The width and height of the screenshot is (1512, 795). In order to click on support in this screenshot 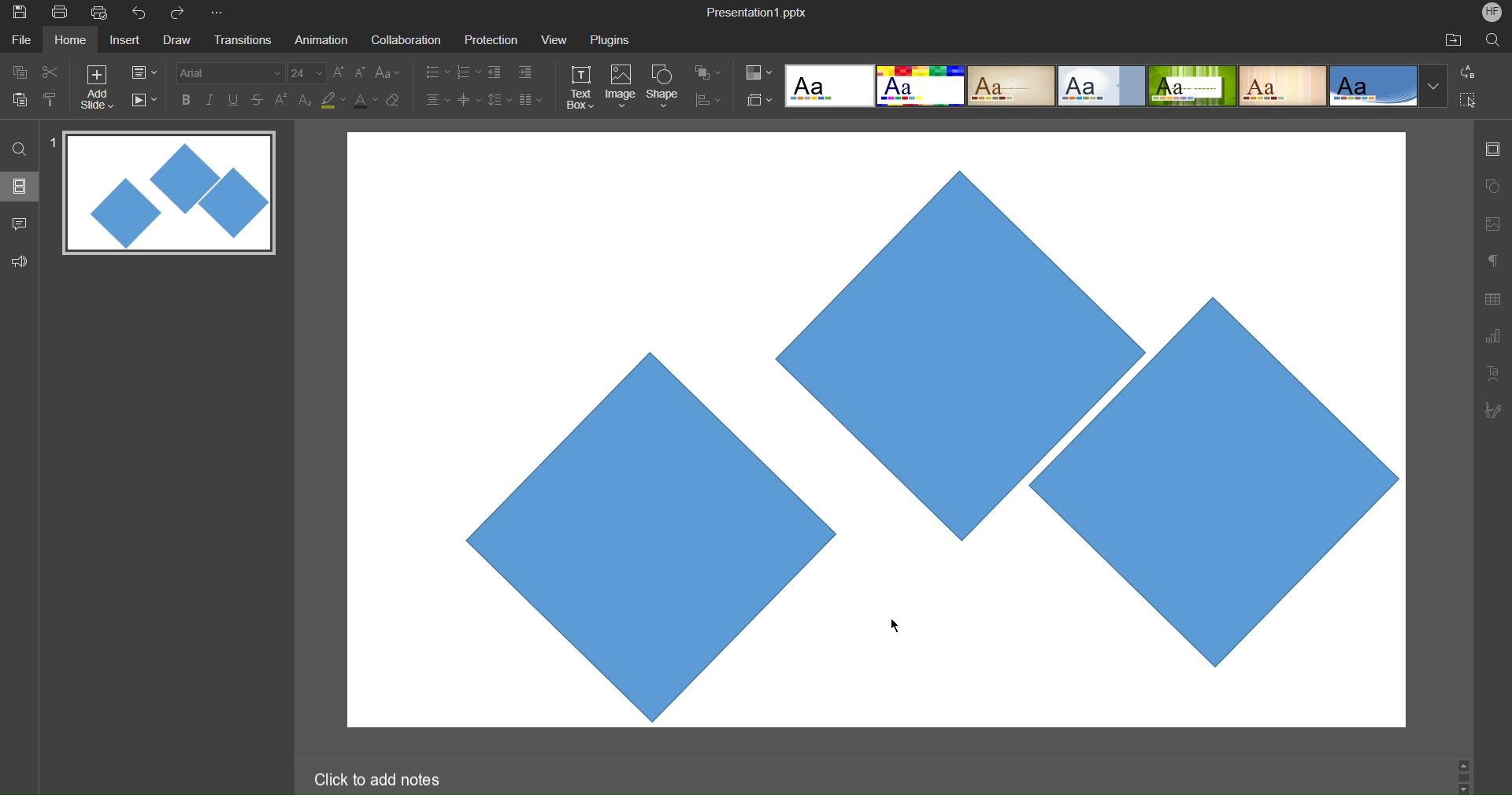, I will do `click(24, 260)`.